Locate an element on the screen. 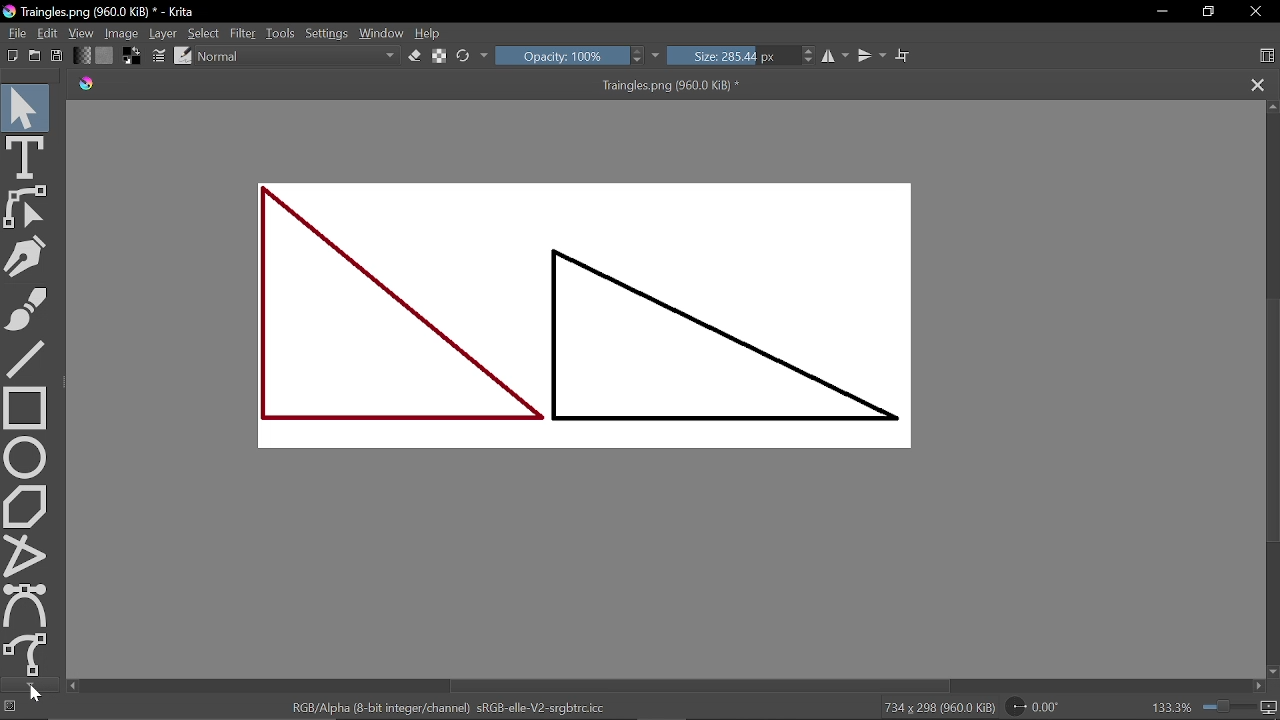  Edit shapes tool is located at coordinates (25, 210).